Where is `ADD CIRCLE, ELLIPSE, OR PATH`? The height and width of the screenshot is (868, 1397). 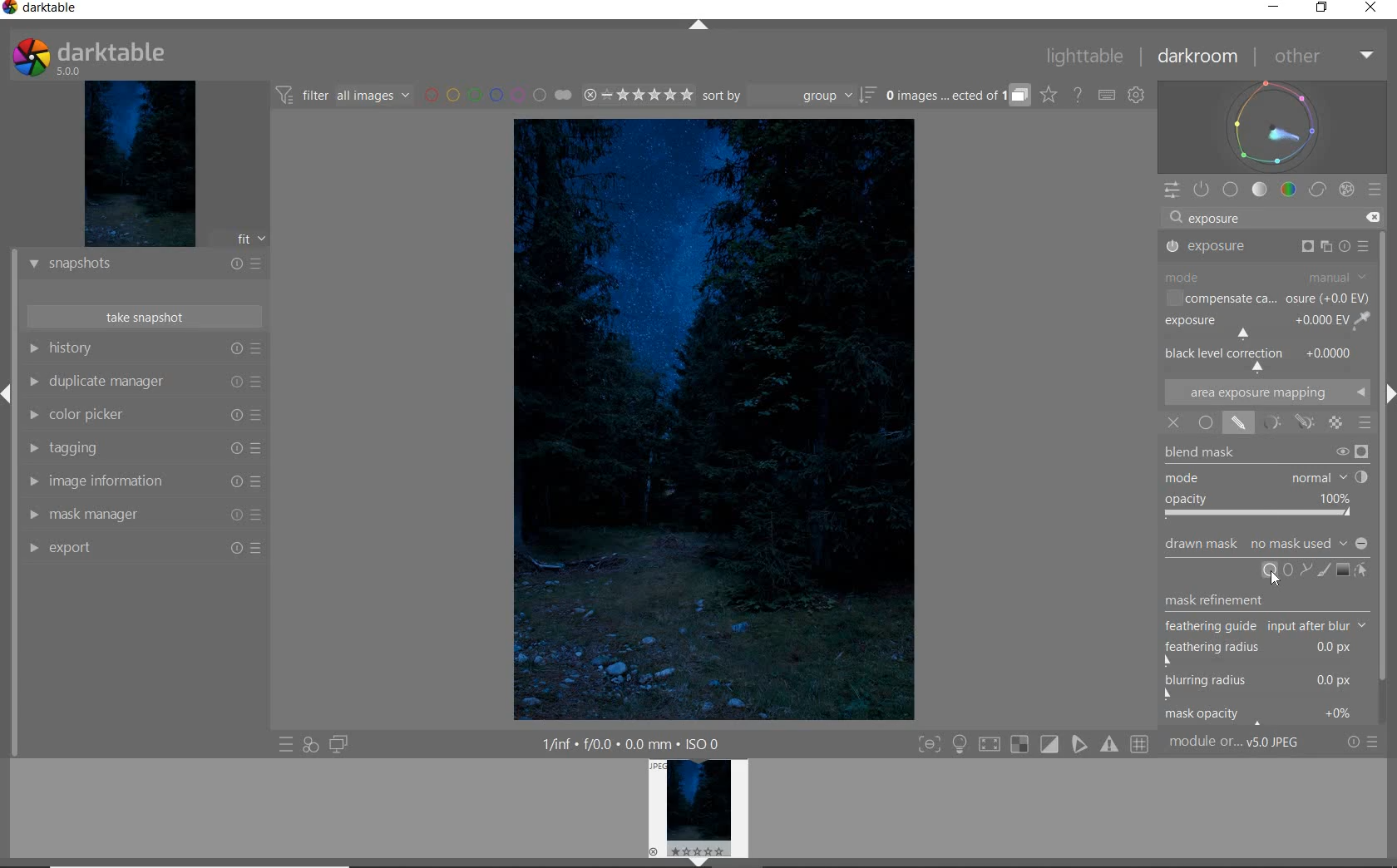 ADD CIRCLE, ELLIPSE, OR PATH is located at coordinates (1285, 571).